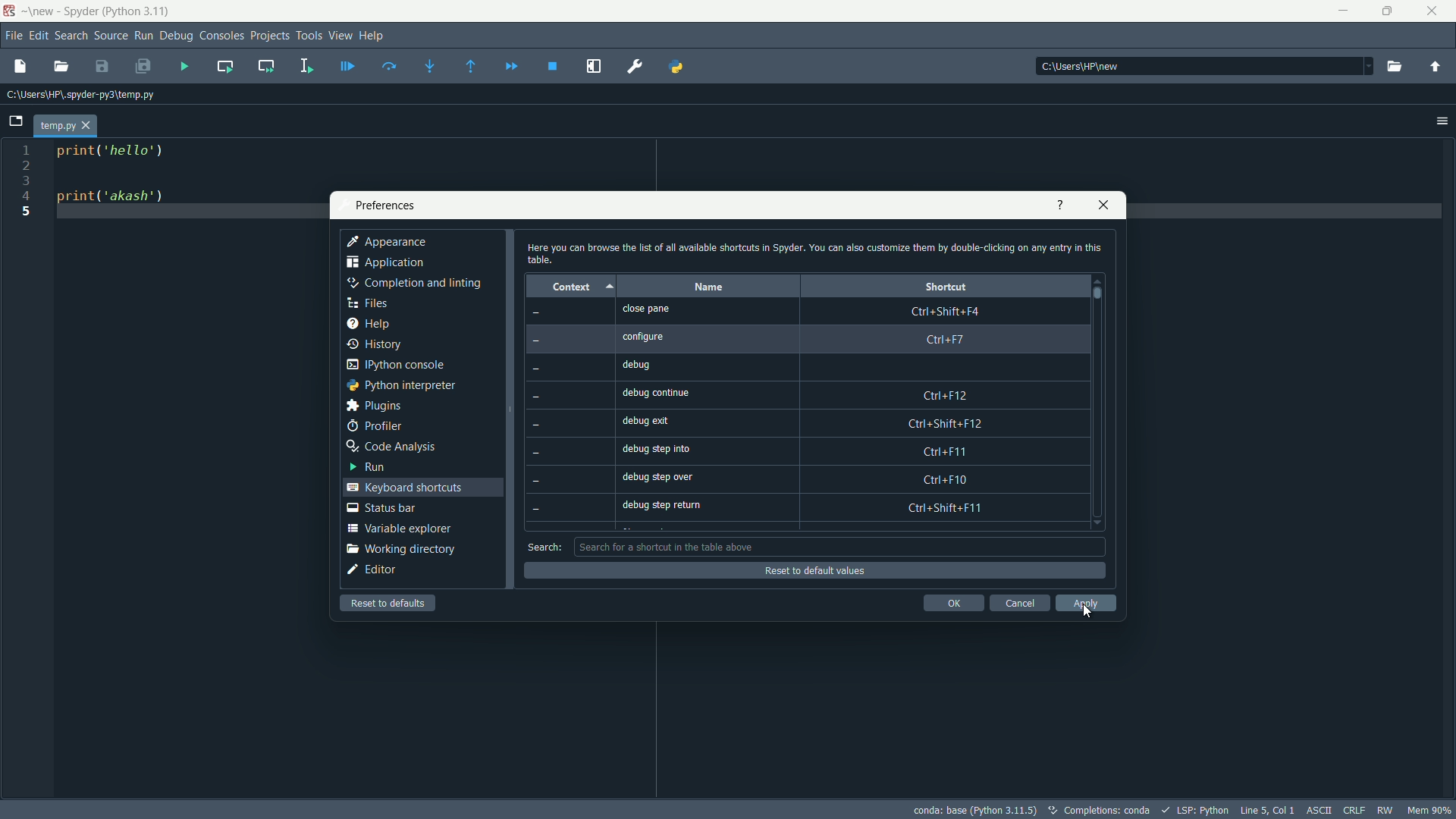 The height and width of the screenshot is (819, 1456). I want to click on reset to default values, so click(802, 570).